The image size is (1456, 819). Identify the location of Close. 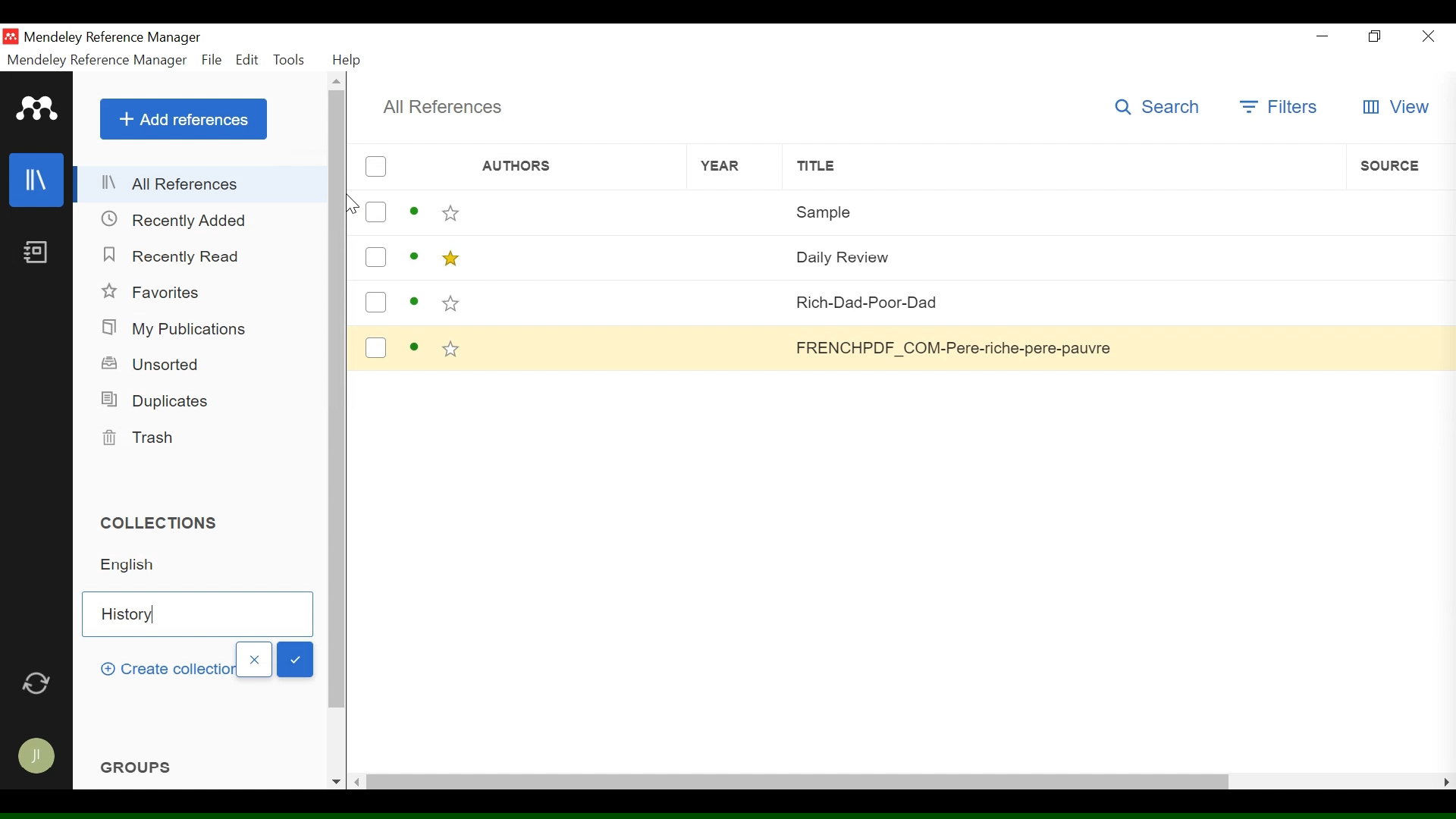
(1426, 36).